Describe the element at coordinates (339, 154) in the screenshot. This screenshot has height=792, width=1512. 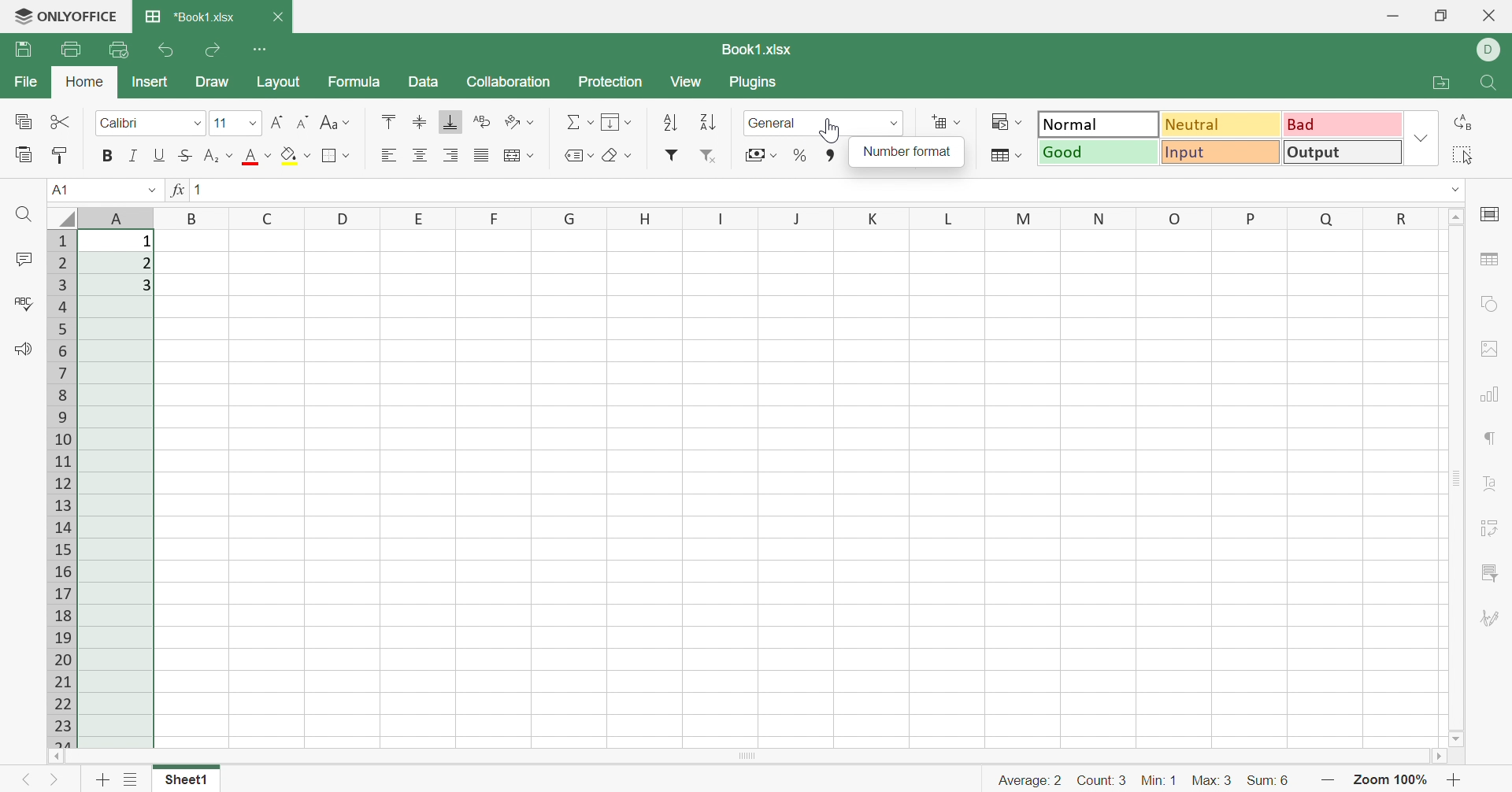
I see `Border` at that location.